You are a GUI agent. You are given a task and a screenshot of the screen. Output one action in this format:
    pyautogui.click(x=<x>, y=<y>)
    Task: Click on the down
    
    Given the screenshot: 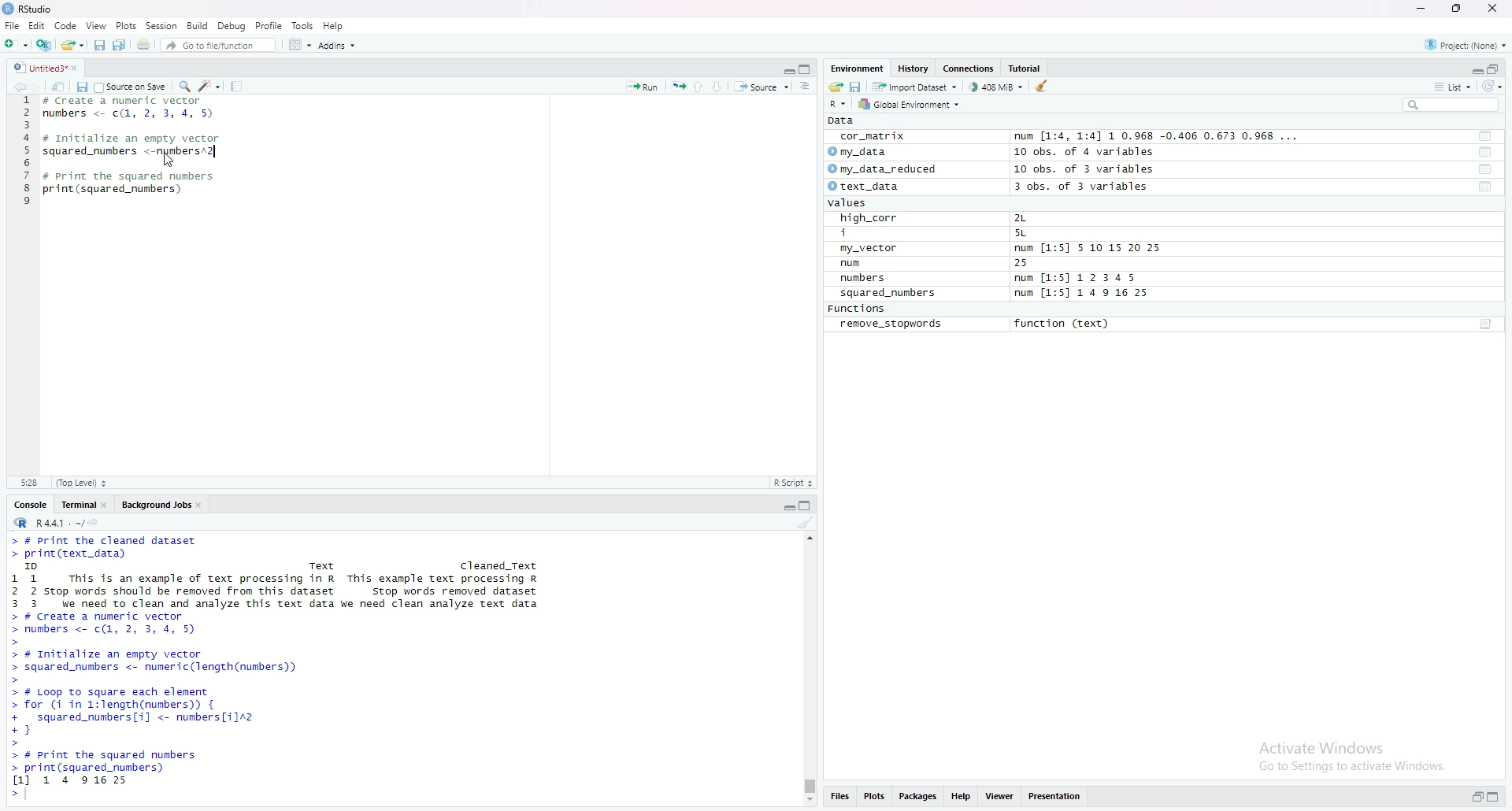 What is the action you would take?
    pyautogui.click(x=718, y=86)
    